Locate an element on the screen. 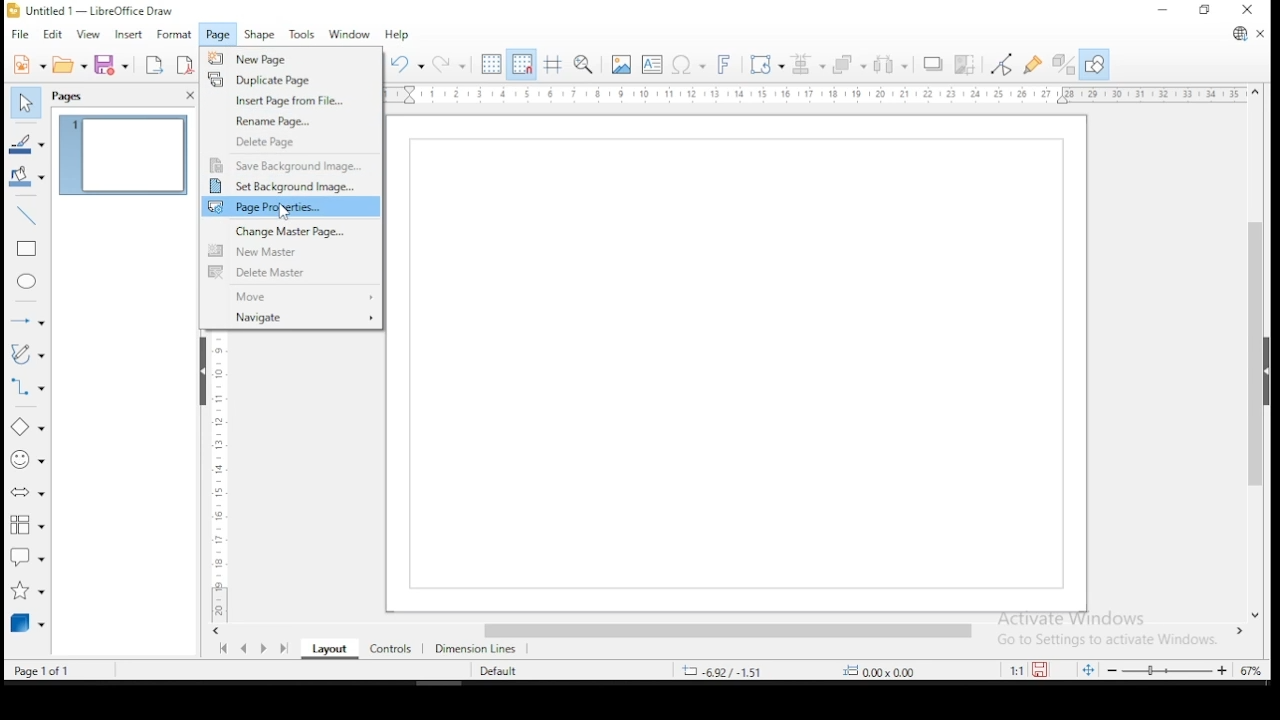 This screenshot has height=720, width=1280. arrange is located at coordinates (848, 65).